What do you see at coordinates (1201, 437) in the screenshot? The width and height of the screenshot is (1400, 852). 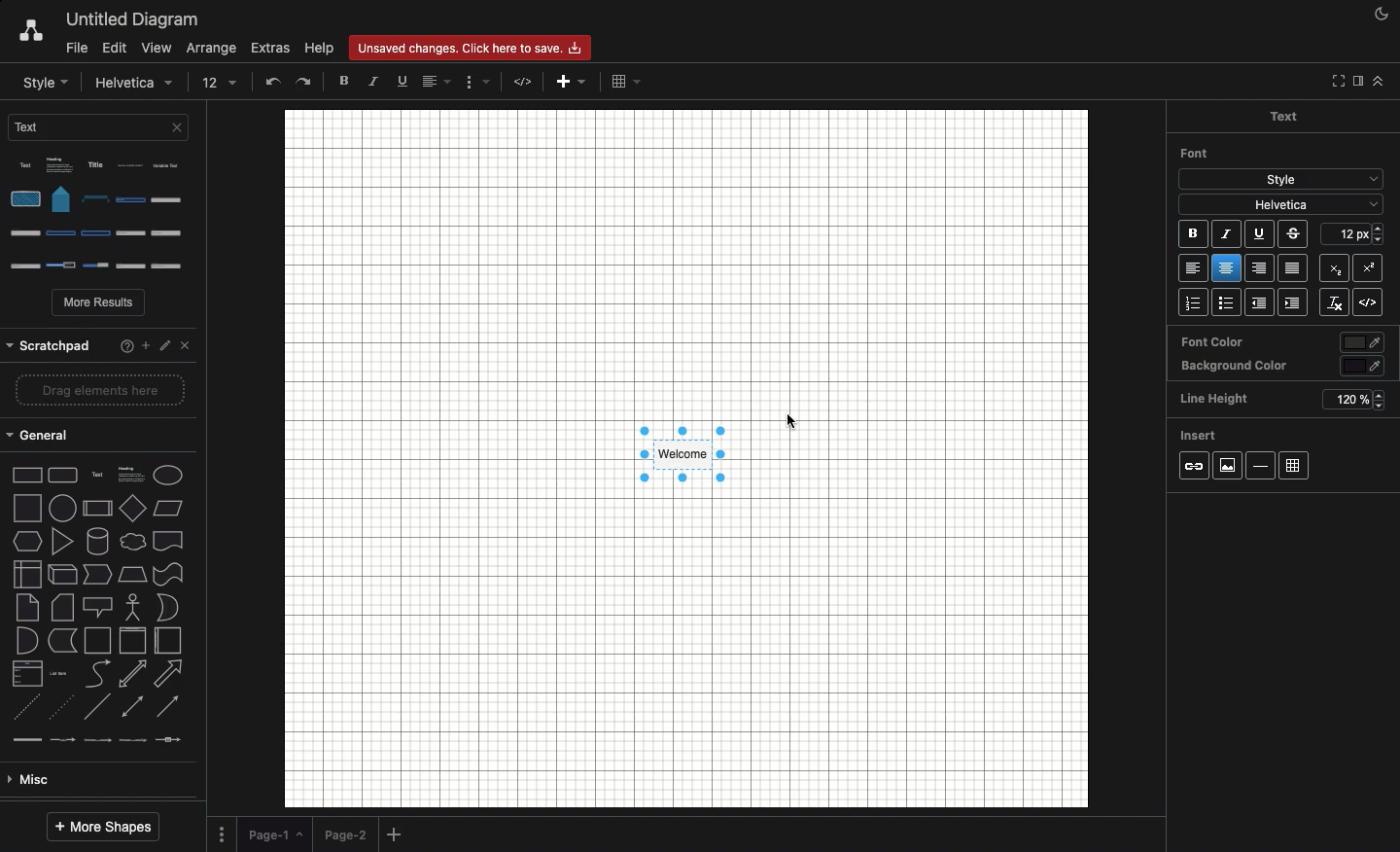 I see `Insert` at bounding box center [1201, 437].